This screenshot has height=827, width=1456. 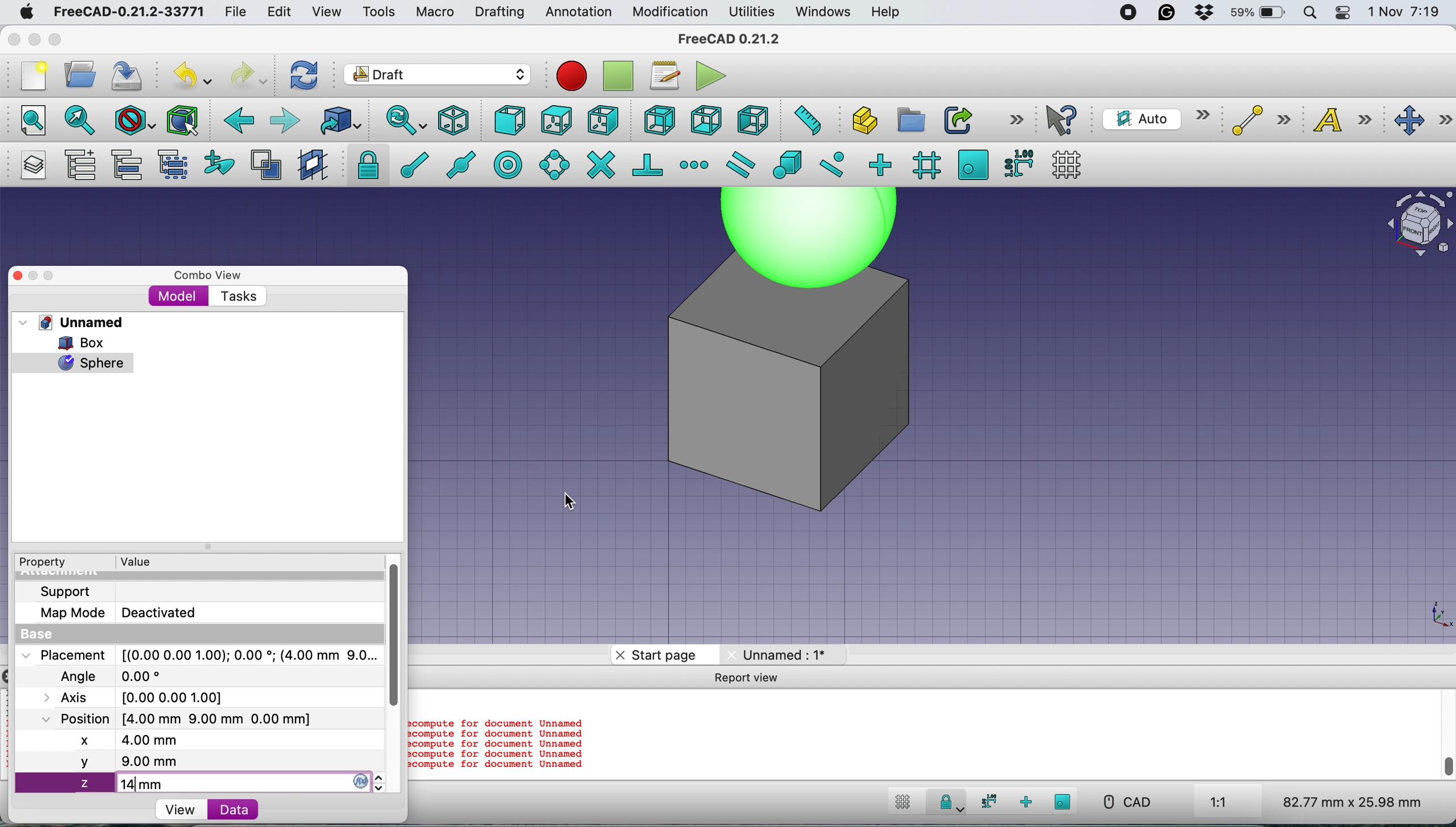 I want to click on snap working plane, so click(x=973, y=164).